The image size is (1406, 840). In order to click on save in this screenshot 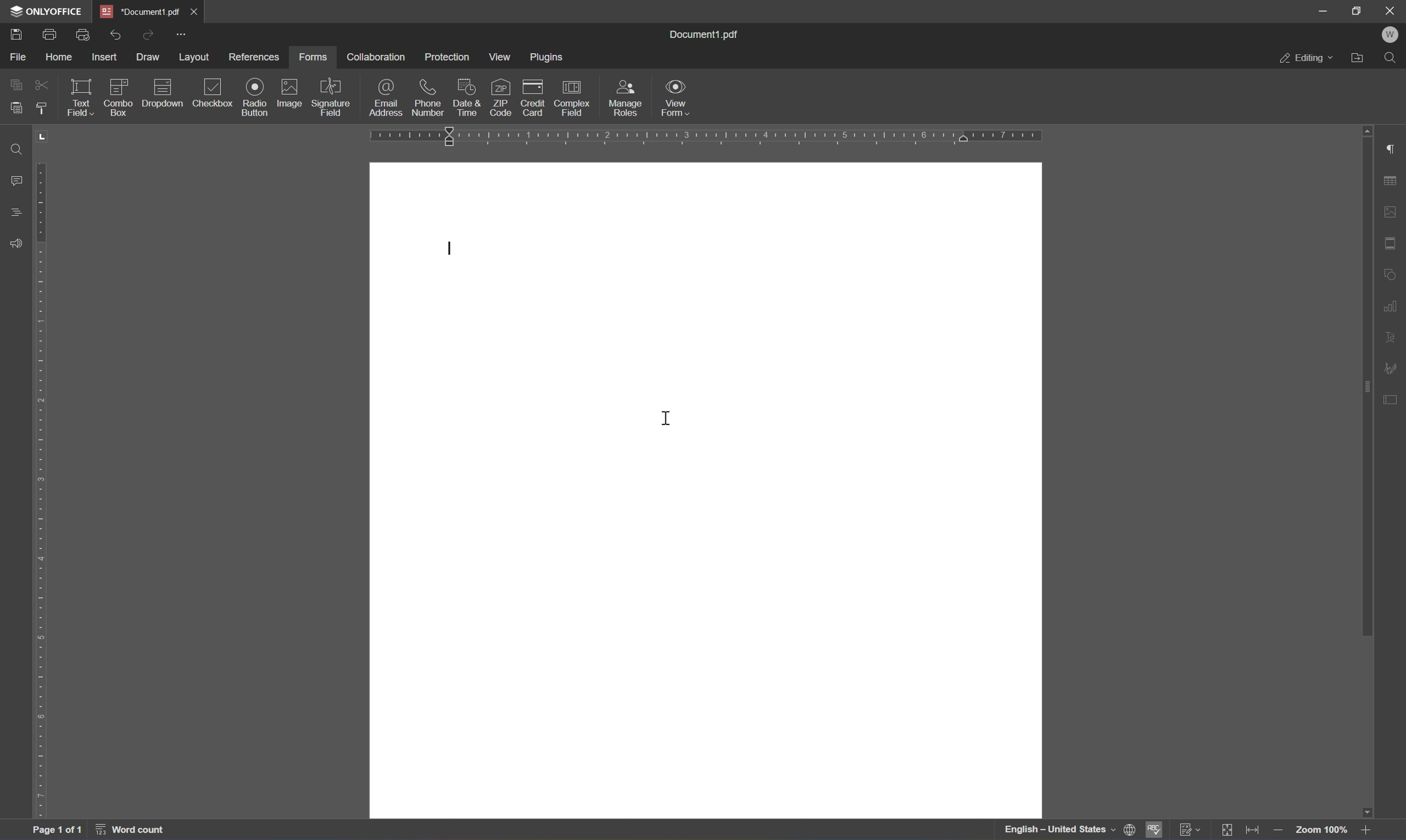, I will do `click(19, 32)`.